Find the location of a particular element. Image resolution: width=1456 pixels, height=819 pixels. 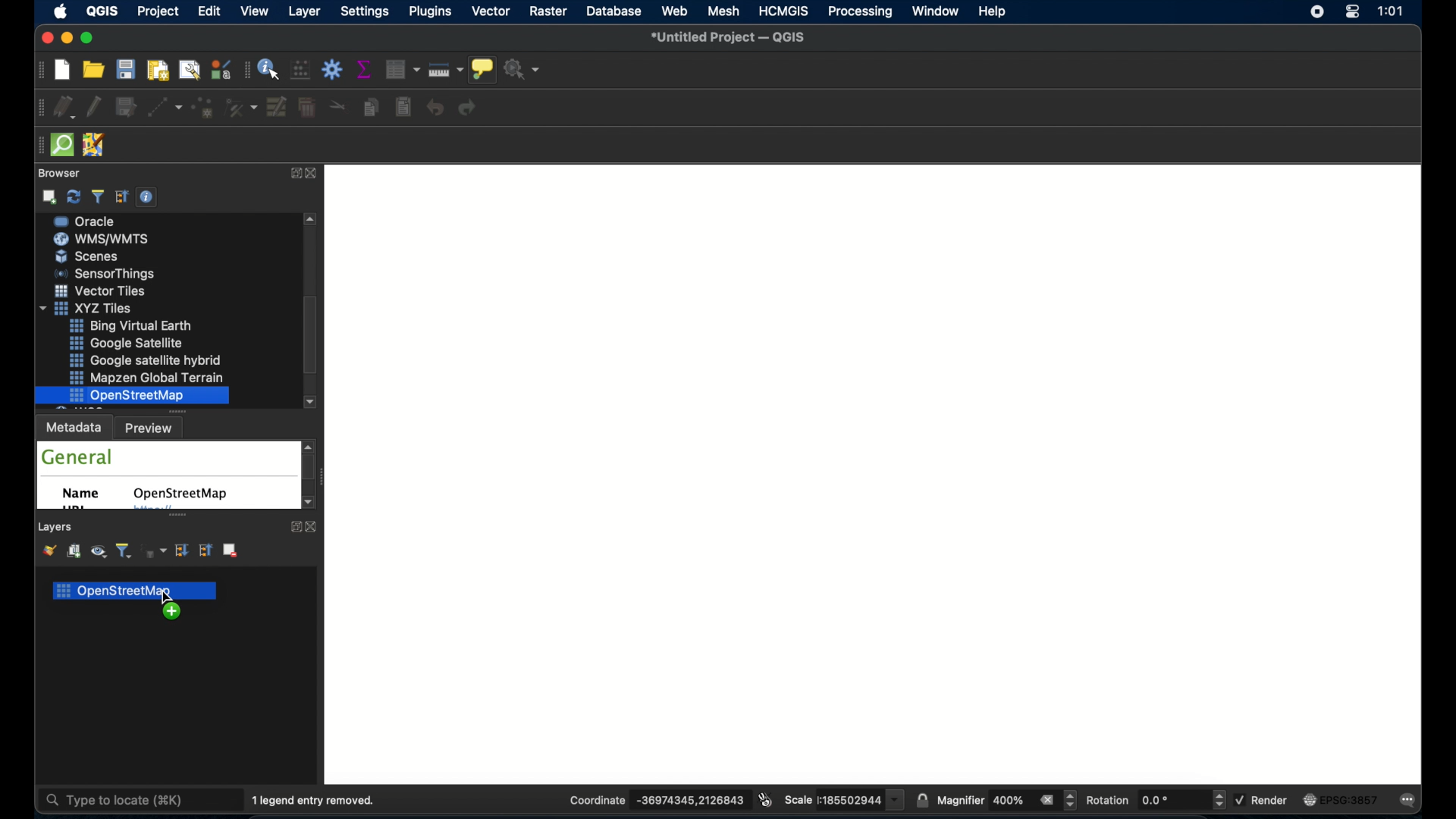

scroll up arrow is located at coordinates (310, 445).